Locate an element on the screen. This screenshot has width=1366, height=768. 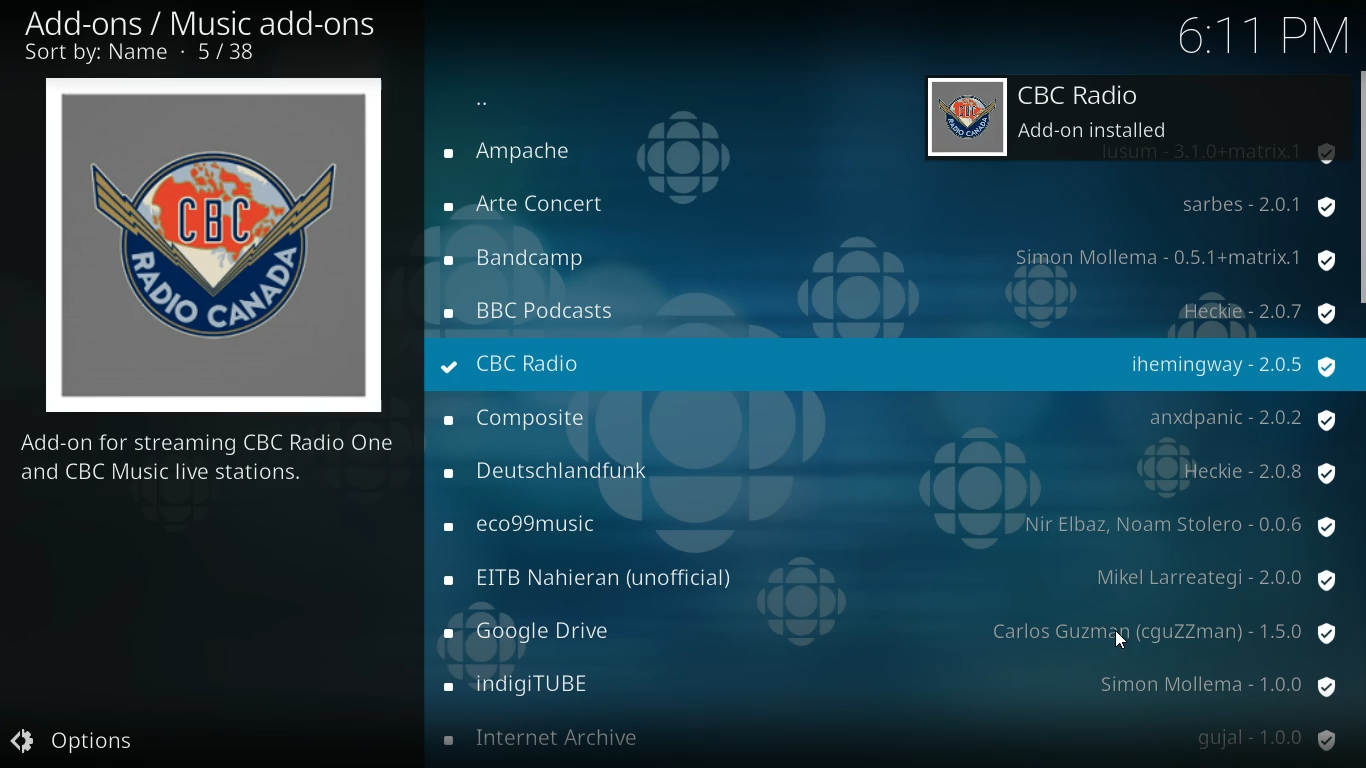
installed is located at coordinates (447, 366).